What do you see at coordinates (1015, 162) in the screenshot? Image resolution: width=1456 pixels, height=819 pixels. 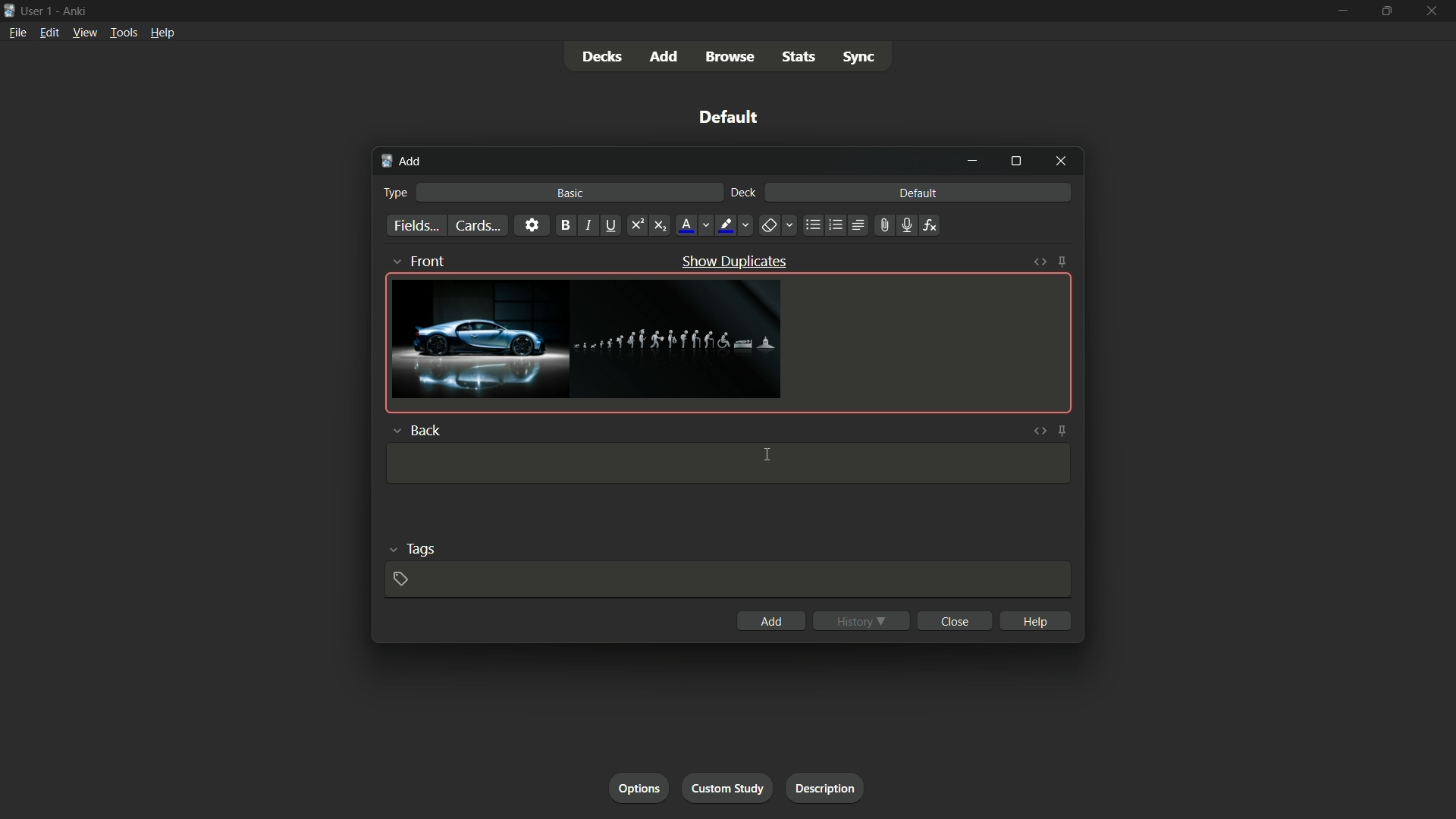 I see `maximize` at bounding box center [1015, 162].